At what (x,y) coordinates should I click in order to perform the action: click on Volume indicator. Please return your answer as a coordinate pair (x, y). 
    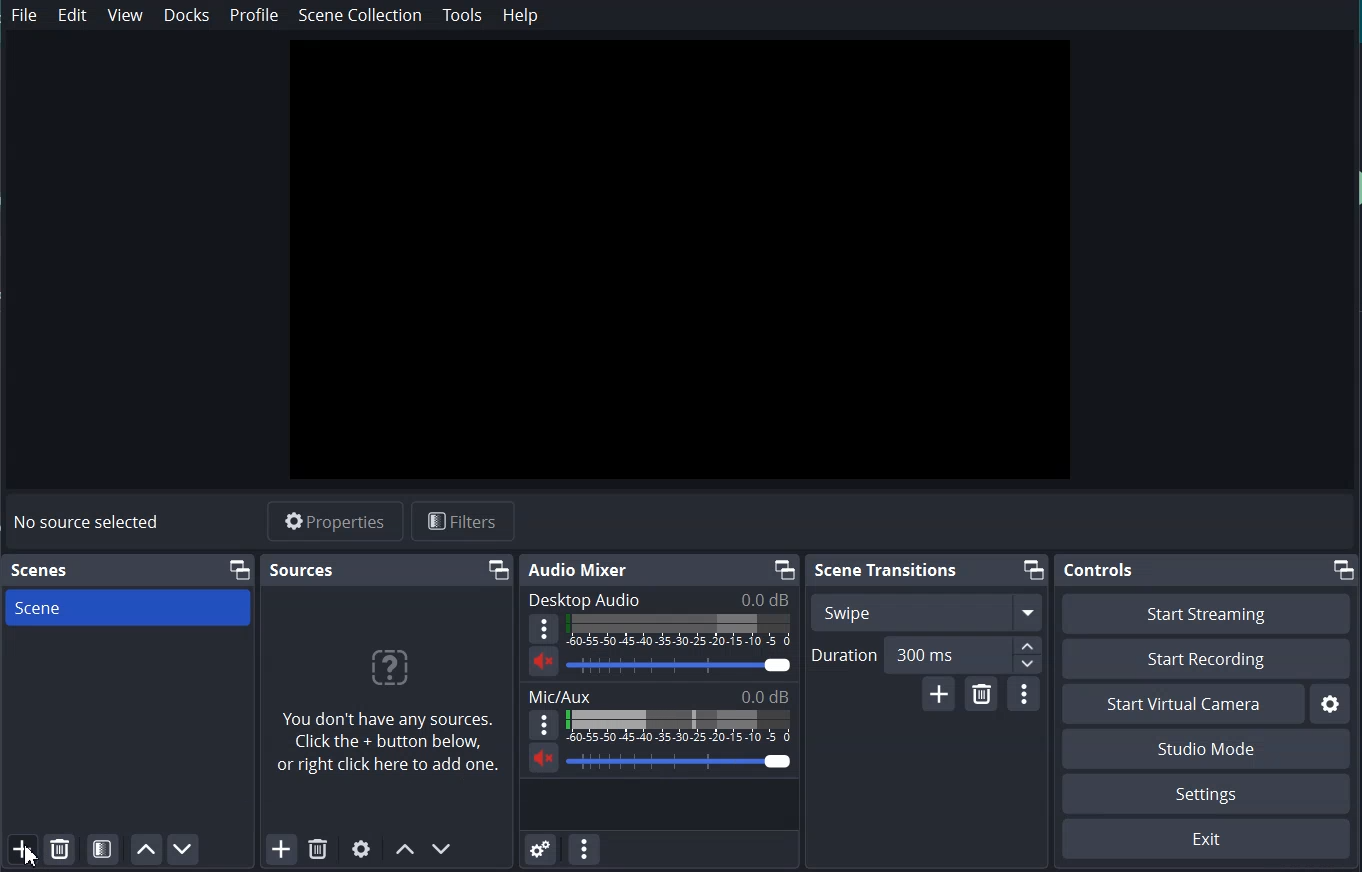
    Looking at the image, I should click on (679, 630).